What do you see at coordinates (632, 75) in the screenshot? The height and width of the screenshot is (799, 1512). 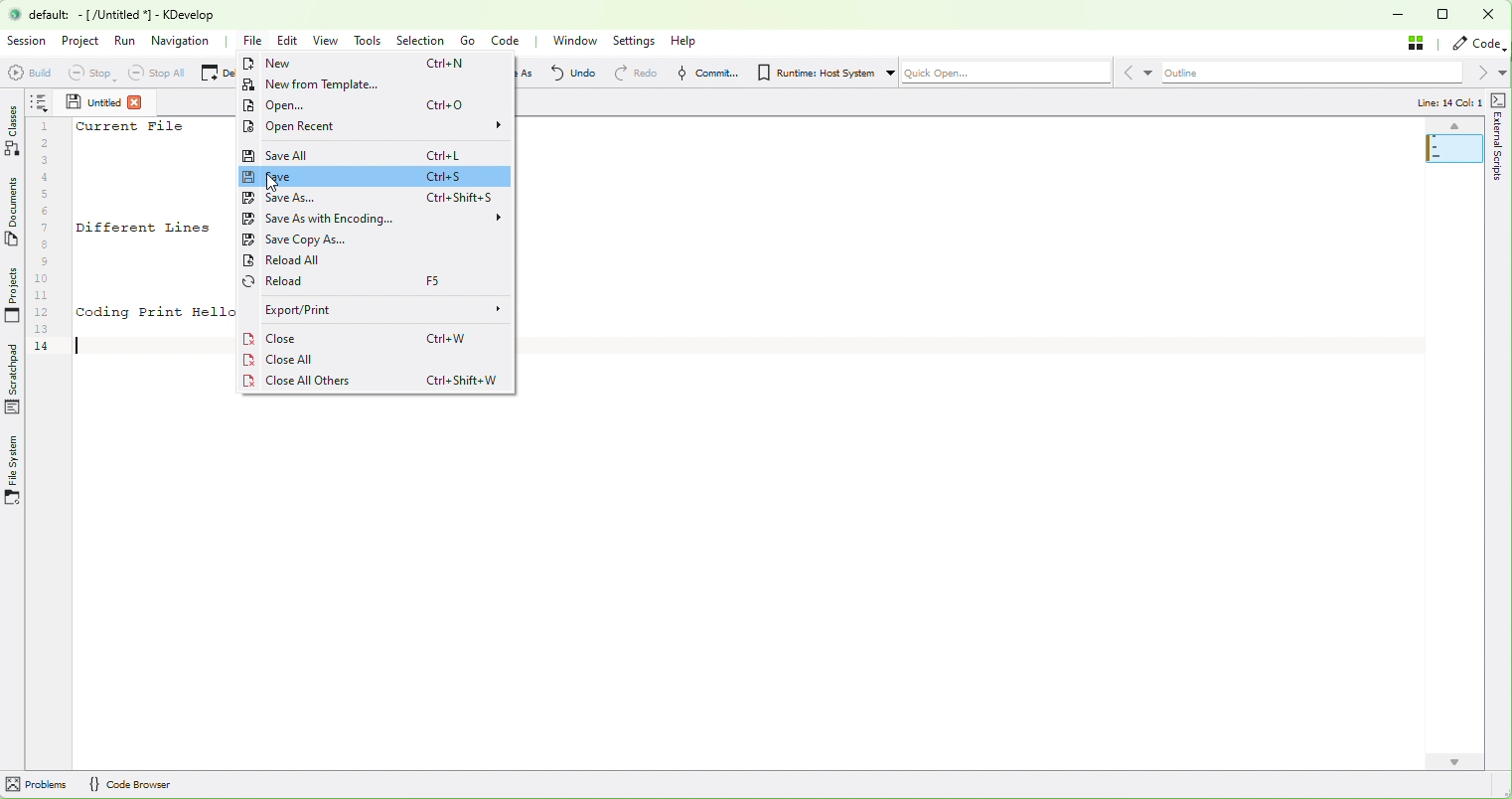 I see `redo` at bounding box center [632, 75].